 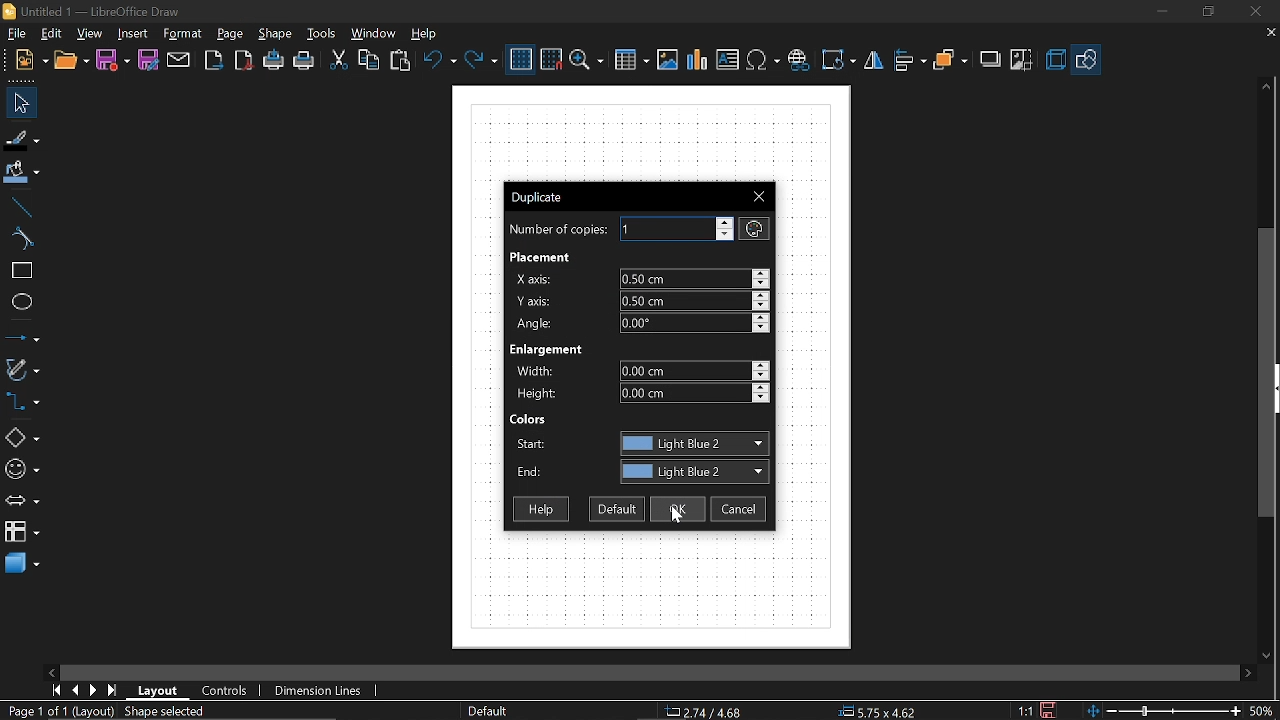 I want to click on zoom, so click(x=587, y=61).